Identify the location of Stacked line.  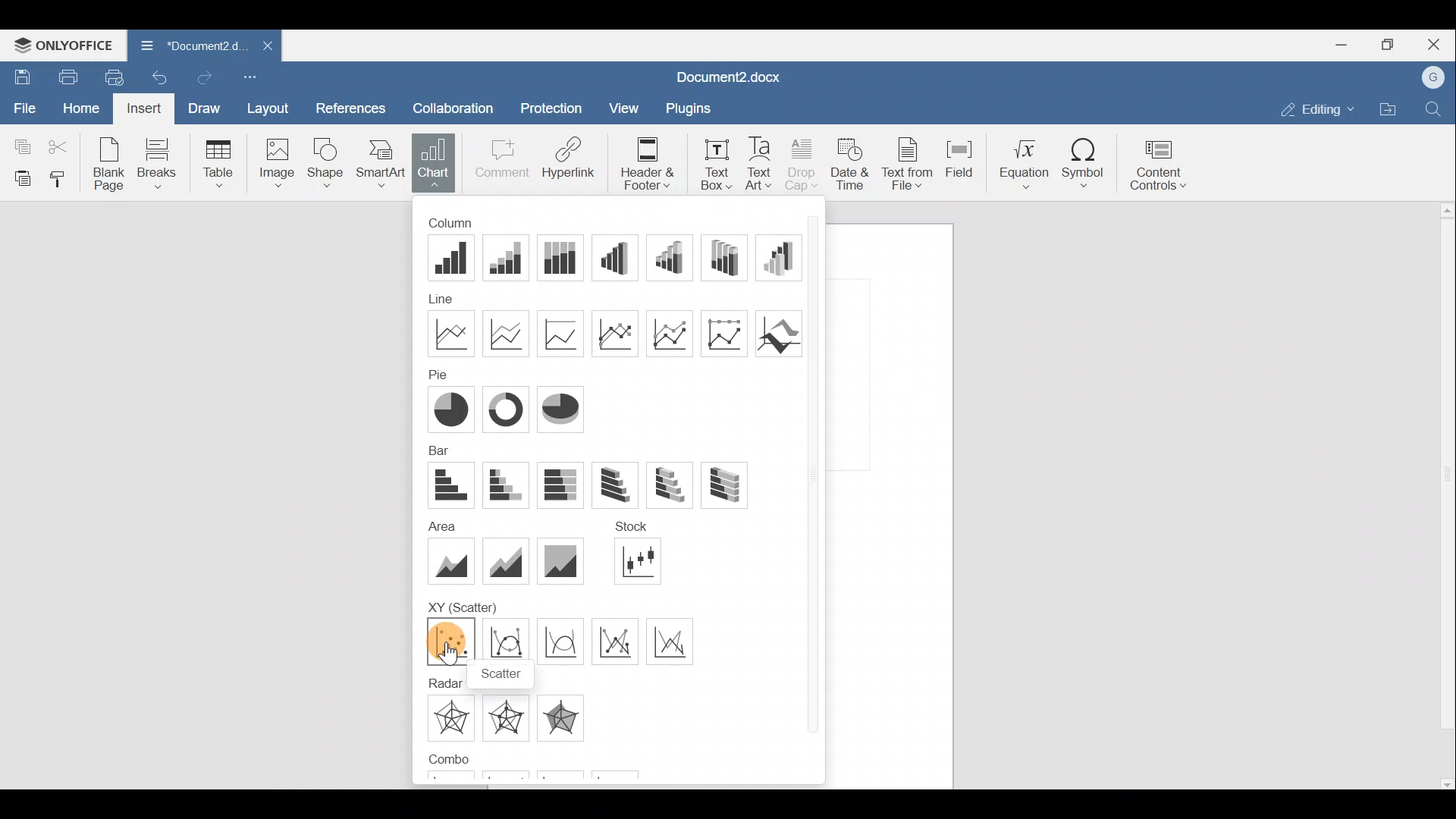
(510, 332).